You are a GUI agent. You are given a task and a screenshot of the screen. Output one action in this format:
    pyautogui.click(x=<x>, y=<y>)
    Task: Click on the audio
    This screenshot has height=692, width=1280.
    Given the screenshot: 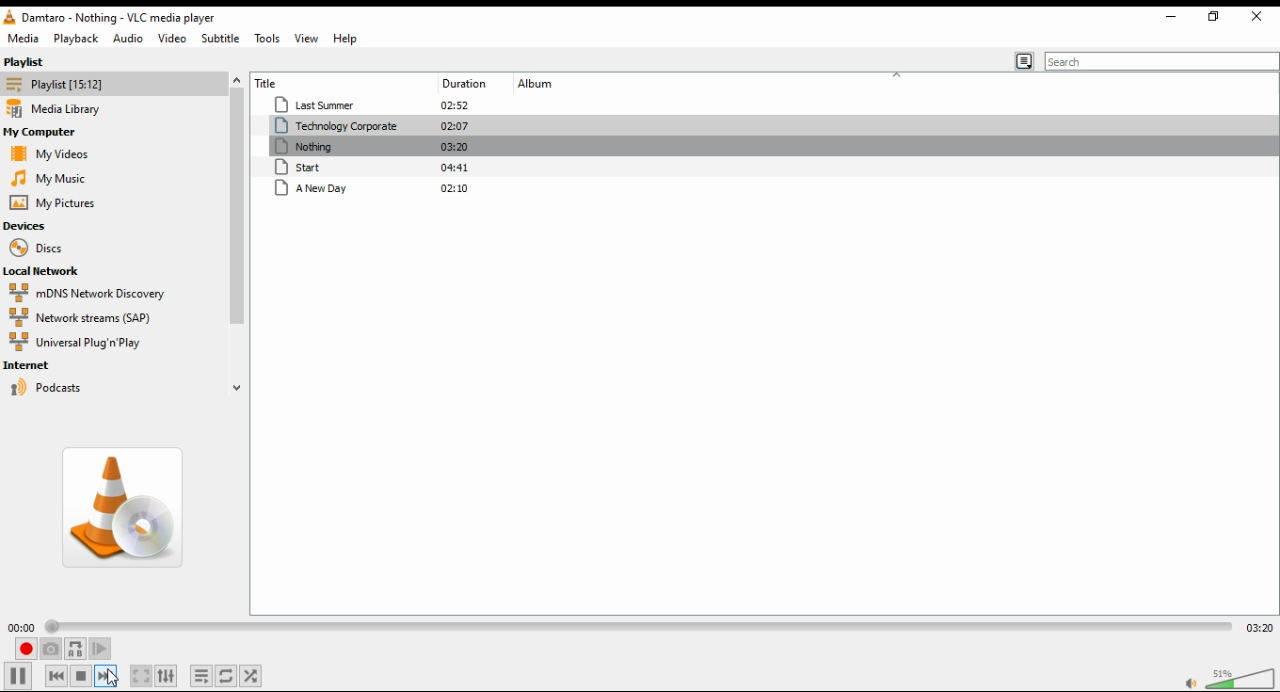 What is the action you would take?
    pyautogui.click(x=133, y=42)
    